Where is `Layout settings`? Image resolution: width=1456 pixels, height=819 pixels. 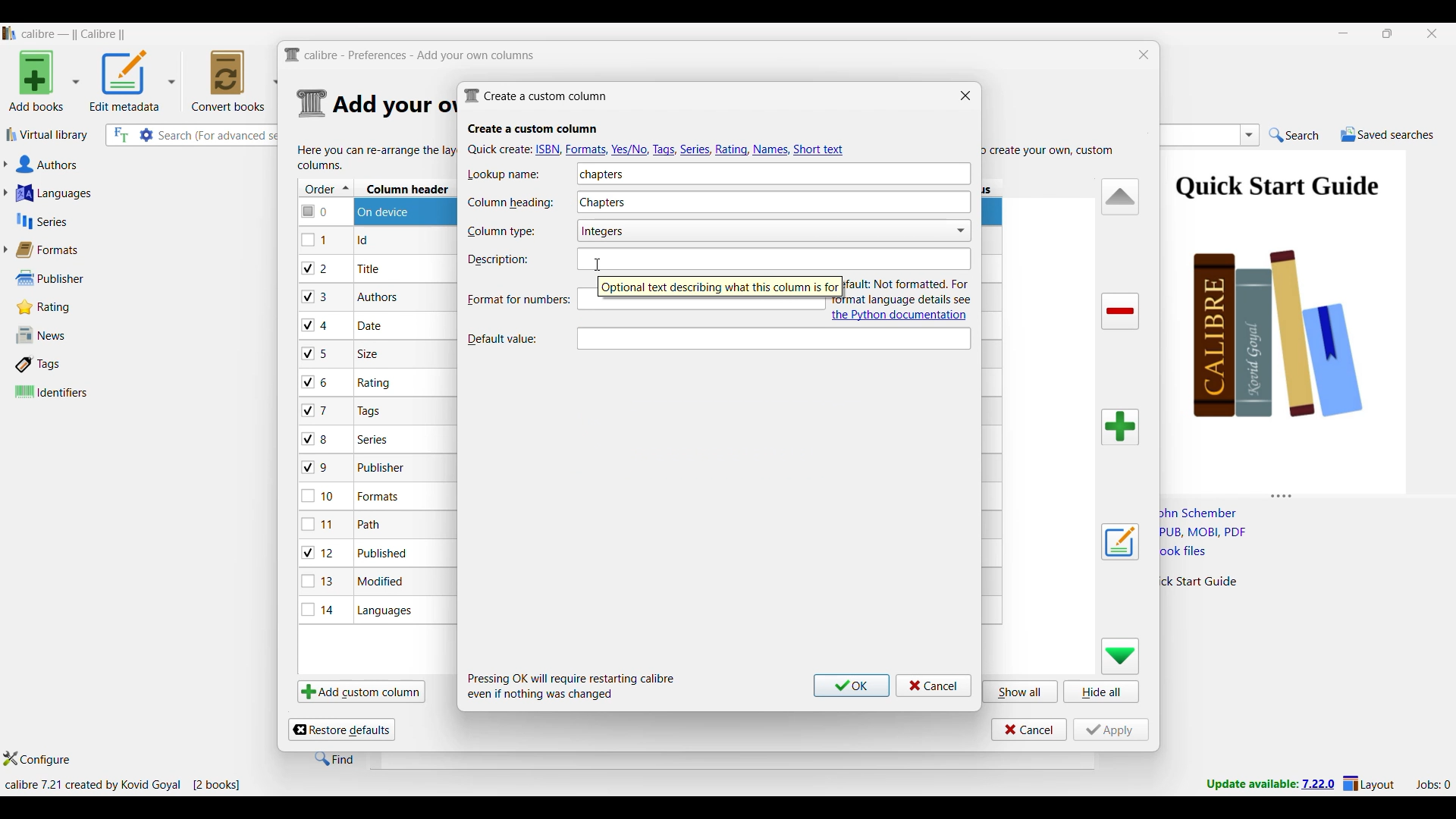
Layout settings is located at coordinates (1369, 783).